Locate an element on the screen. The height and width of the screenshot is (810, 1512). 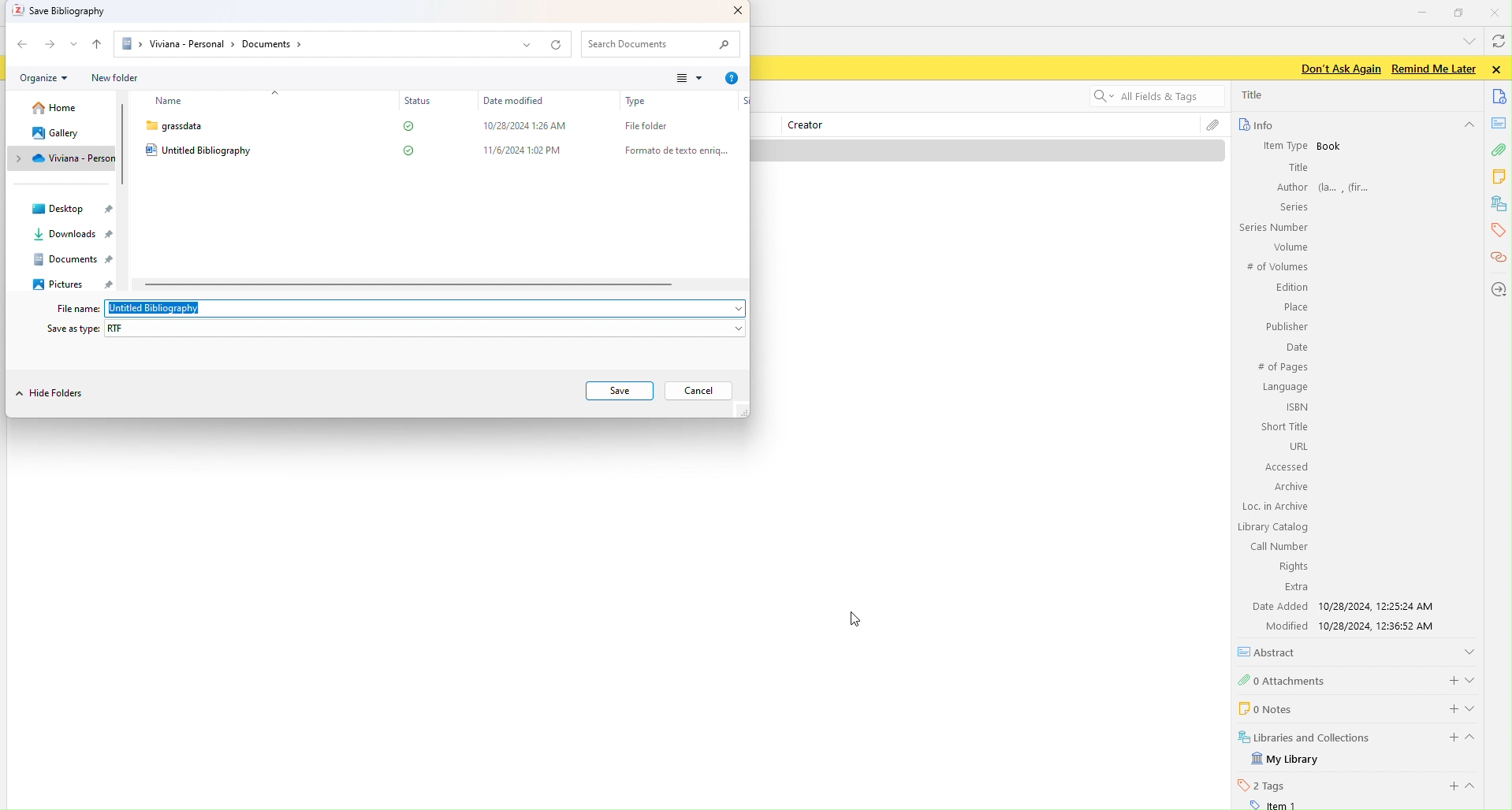
add is located at coordinates (1451, 786).